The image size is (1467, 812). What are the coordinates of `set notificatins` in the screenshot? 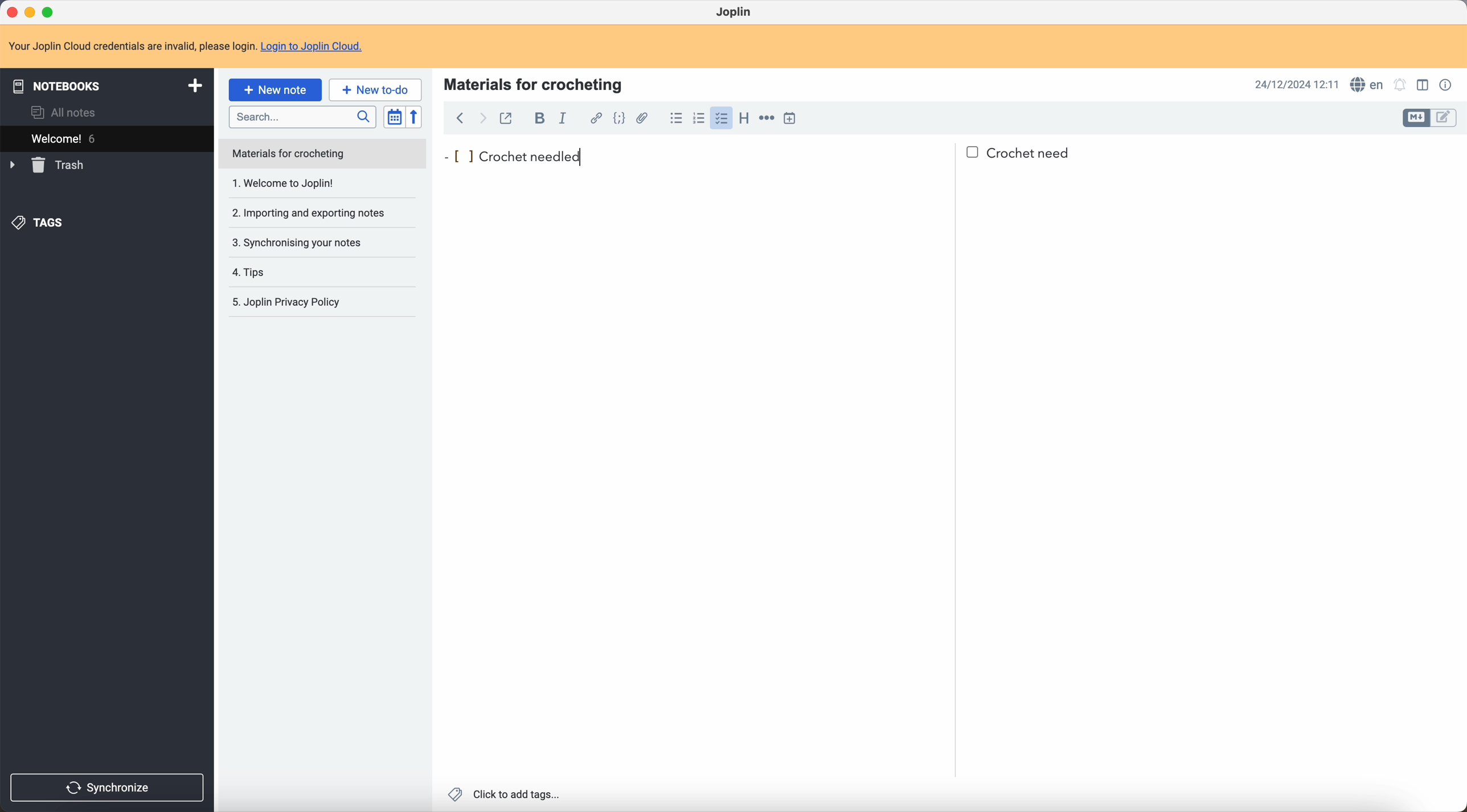 It's located at (1400, 86).